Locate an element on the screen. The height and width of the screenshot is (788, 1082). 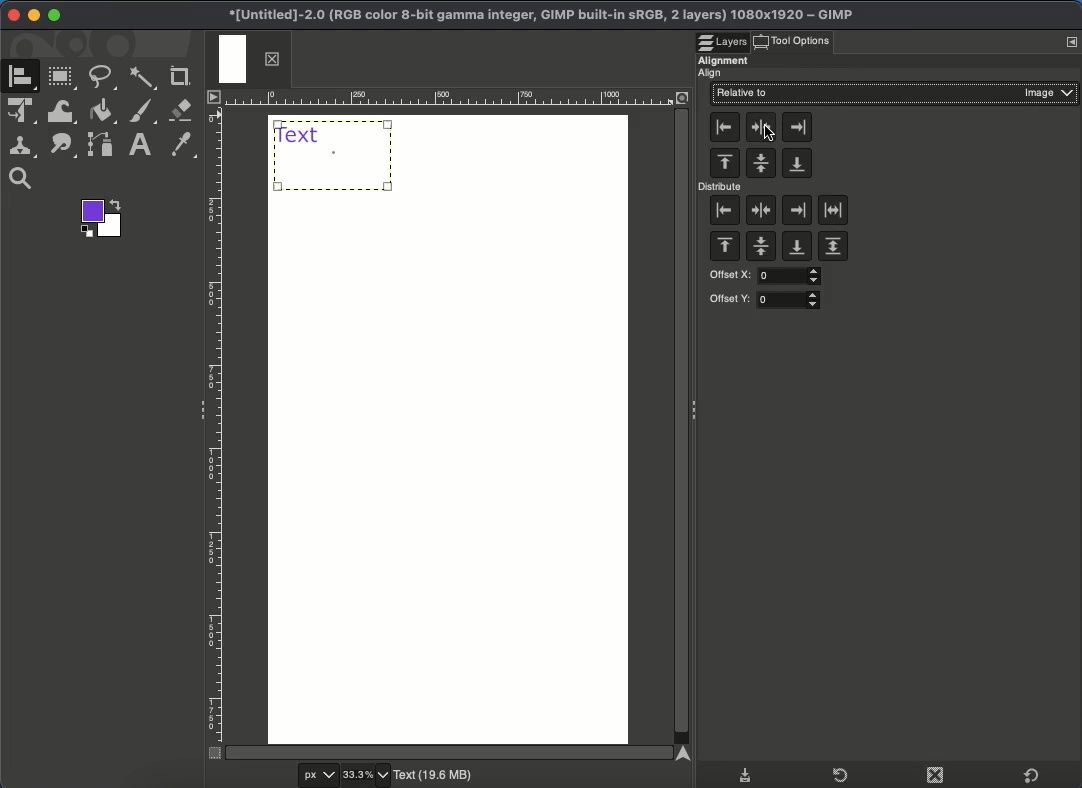
cursor is located at coordinates (768, 136).